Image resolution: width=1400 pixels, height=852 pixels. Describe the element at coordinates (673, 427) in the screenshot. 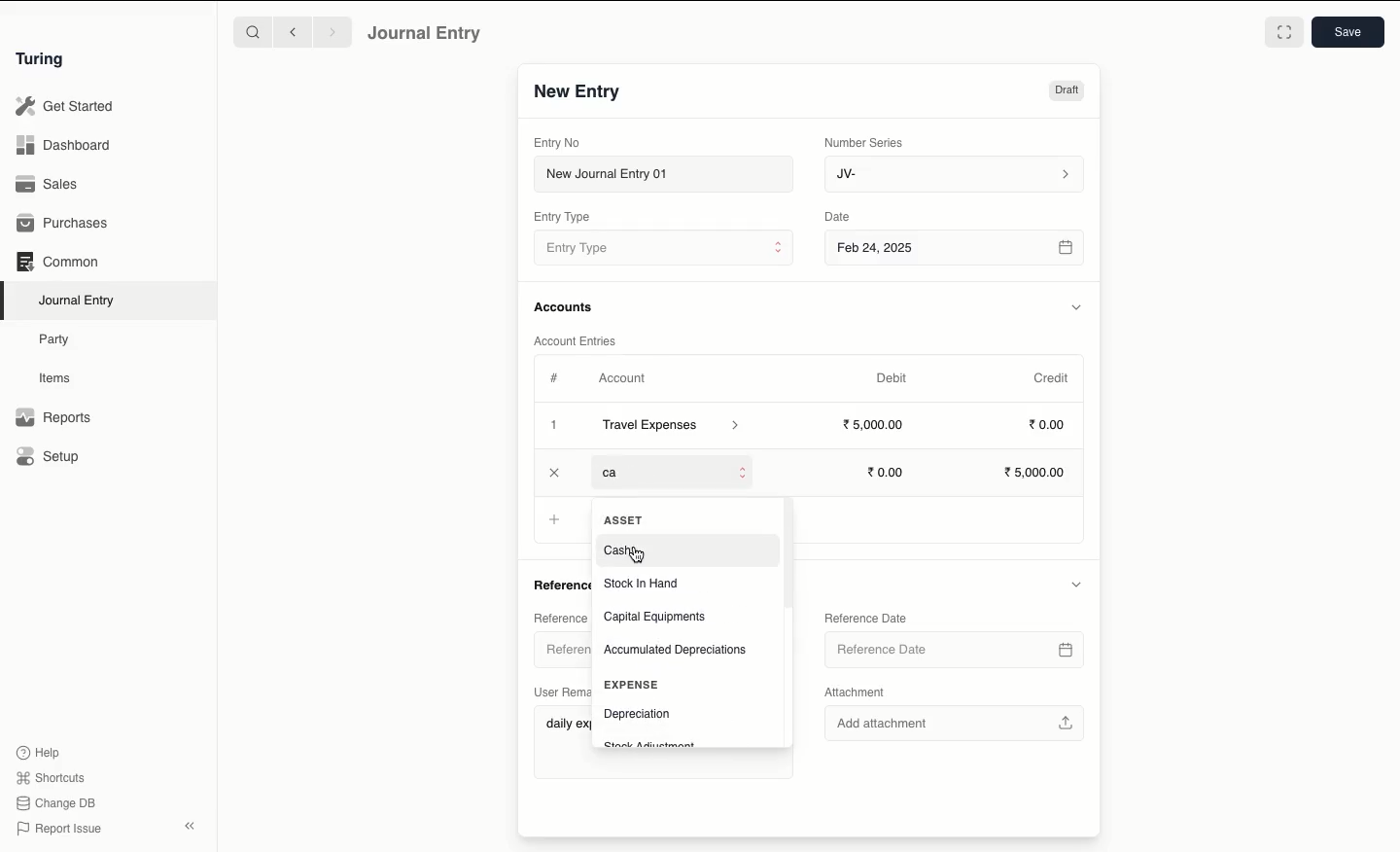

I see `Travel Expenses` at that location.